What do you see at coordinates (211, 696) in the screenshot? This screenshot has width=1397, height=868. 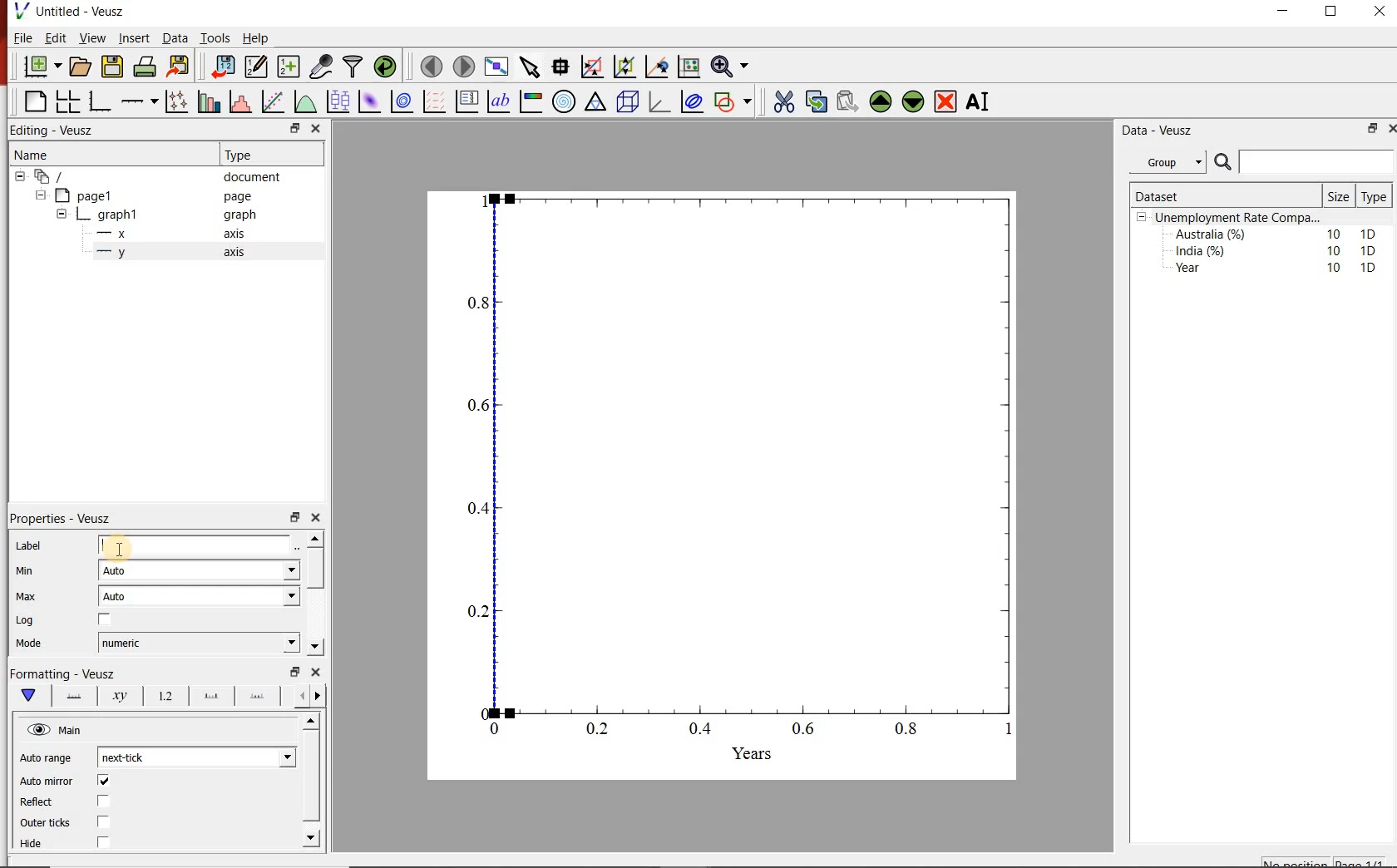 I see `major tick` at bounding box center [211, 696].